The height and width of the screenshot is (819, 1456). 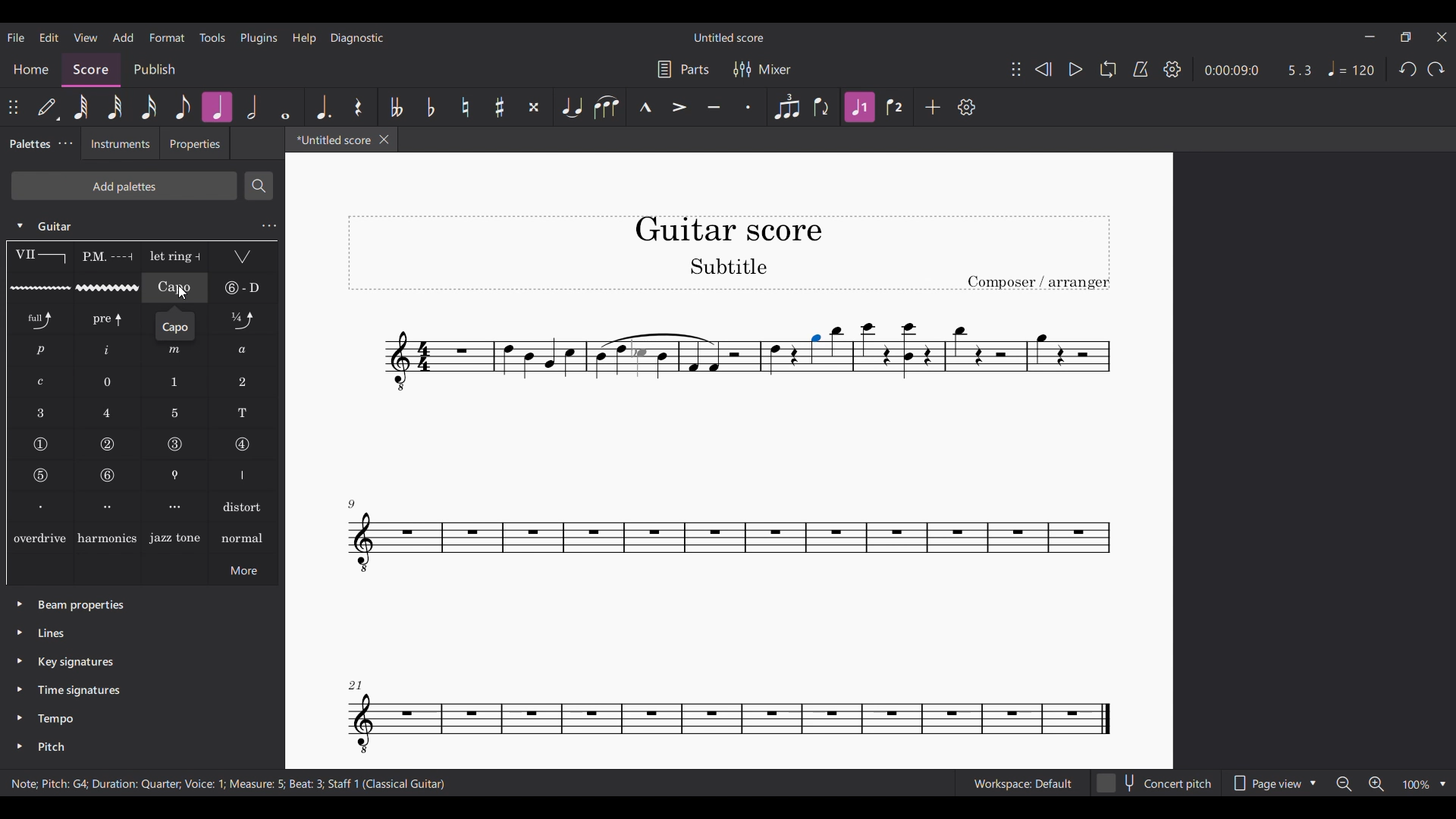 I want to click on Toggle natural, so click(x=465, y=107).